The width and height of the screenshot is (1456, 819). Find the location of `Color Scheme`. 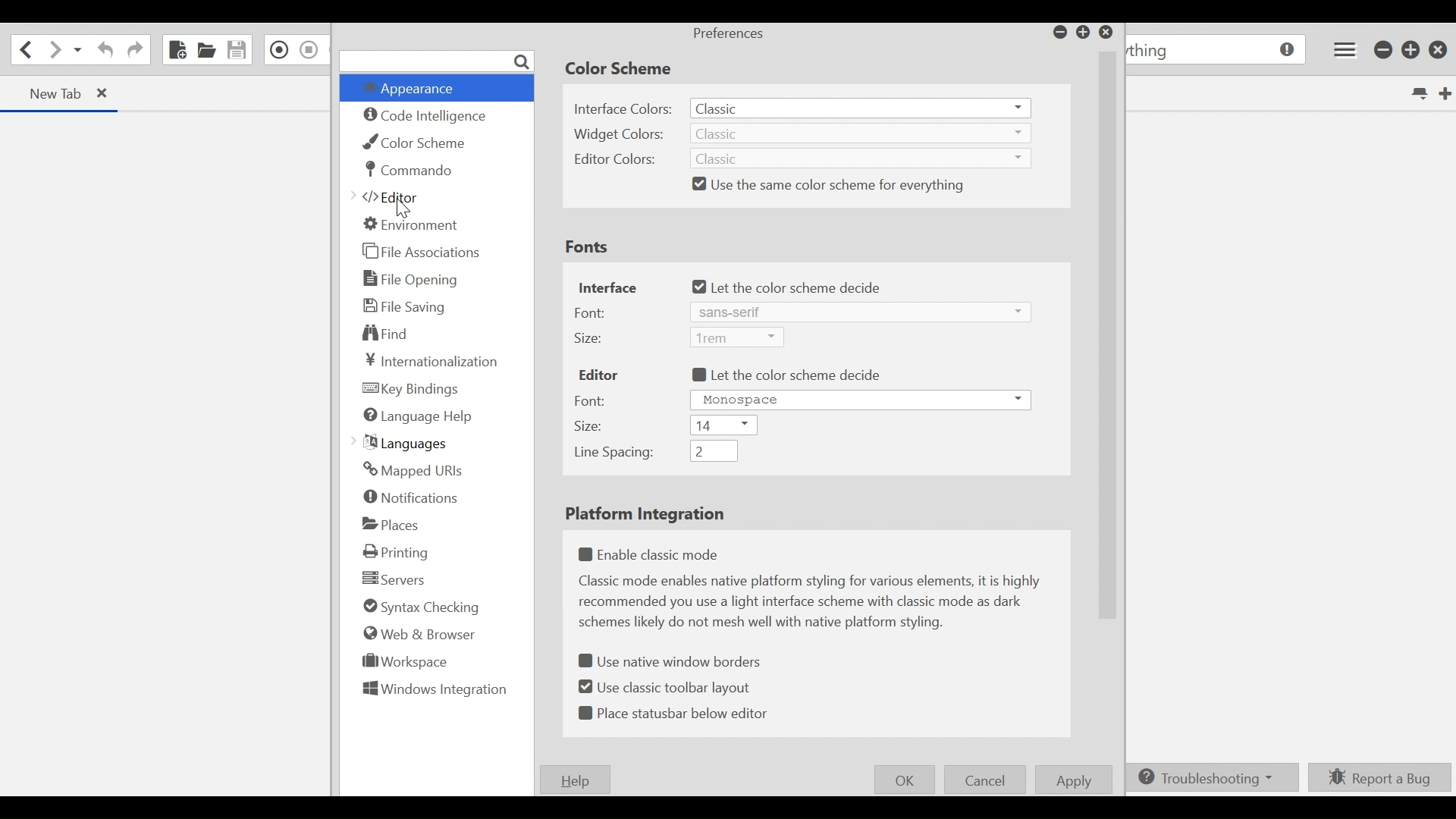

Color Scheme is located at coordinates (416, 143).